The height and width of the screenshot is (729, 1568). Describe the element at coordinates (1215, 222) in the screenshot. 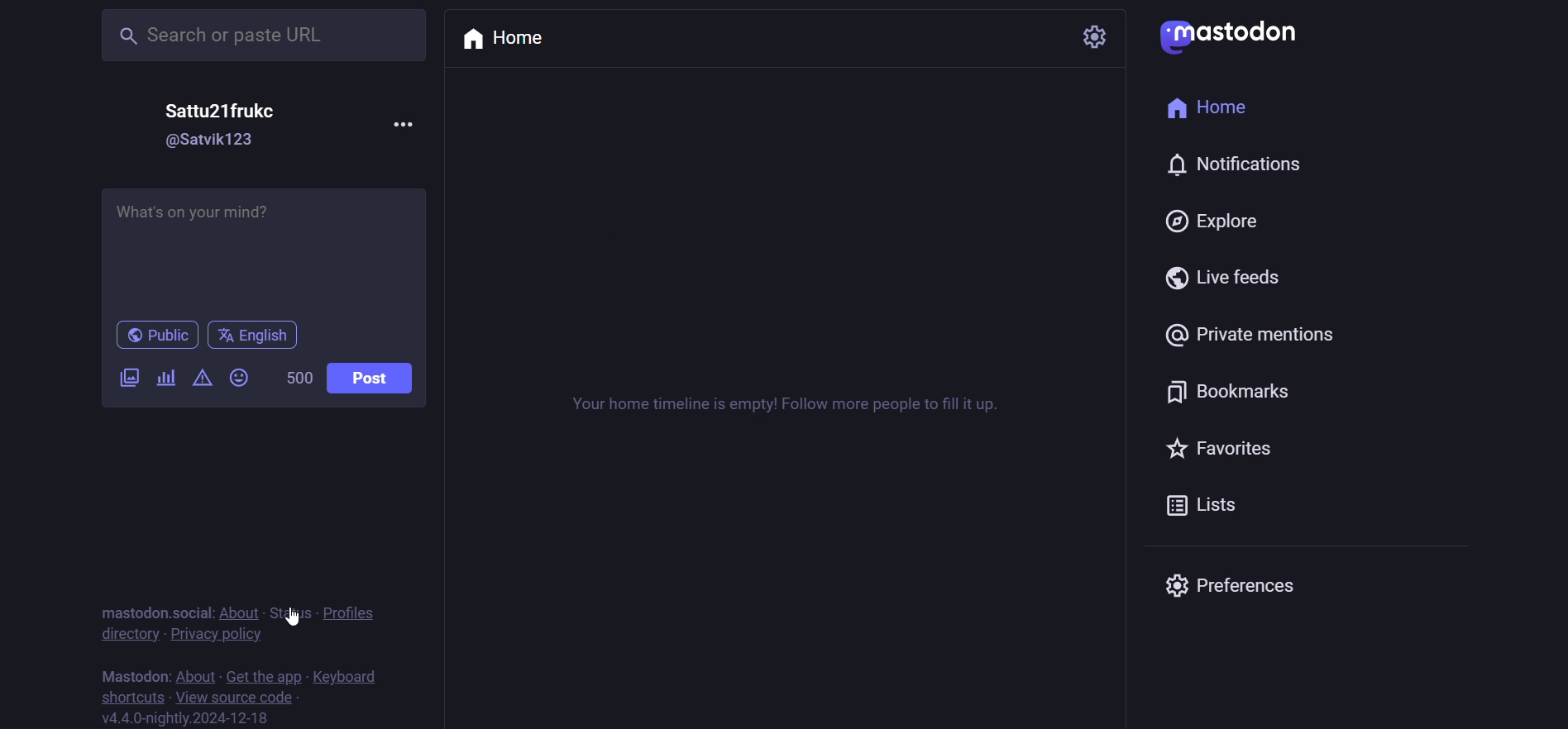

I see `explore` at that location.